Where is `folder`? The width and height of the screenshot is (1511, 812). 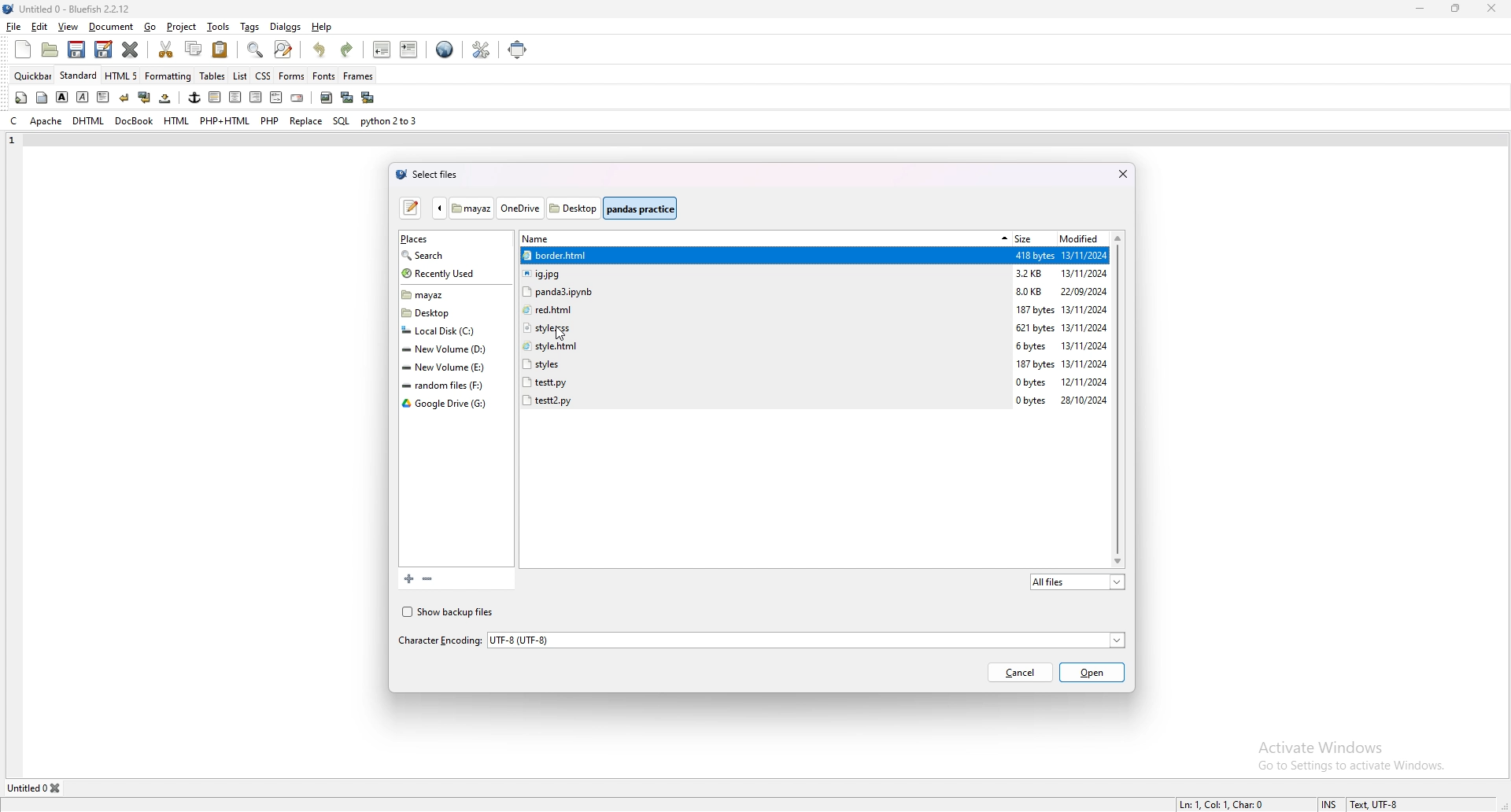 folder is located at coordinates (452, 296).